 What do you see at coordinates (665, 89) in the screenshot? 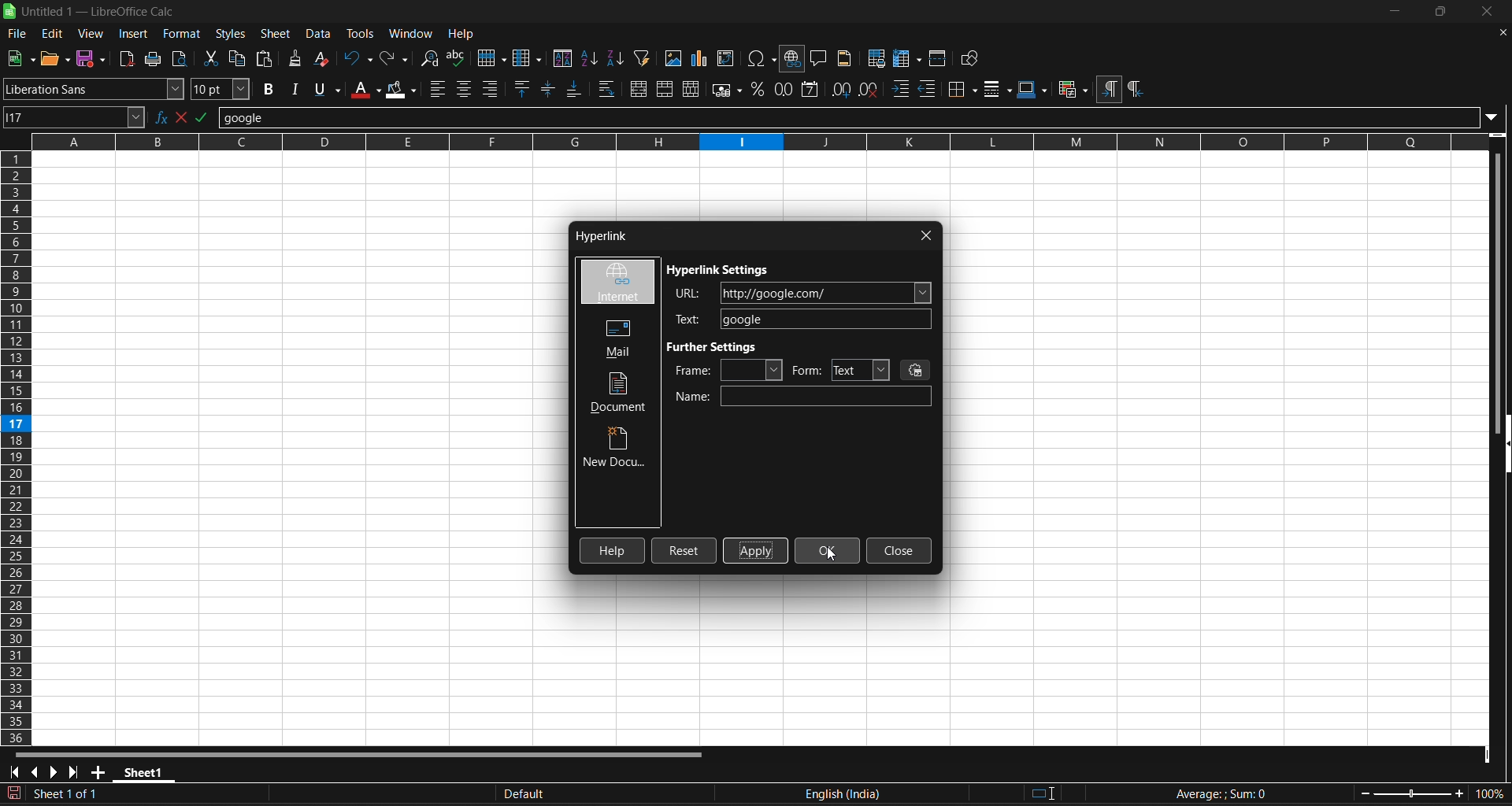
I see `merge cells` at bounding box center [665, 89].